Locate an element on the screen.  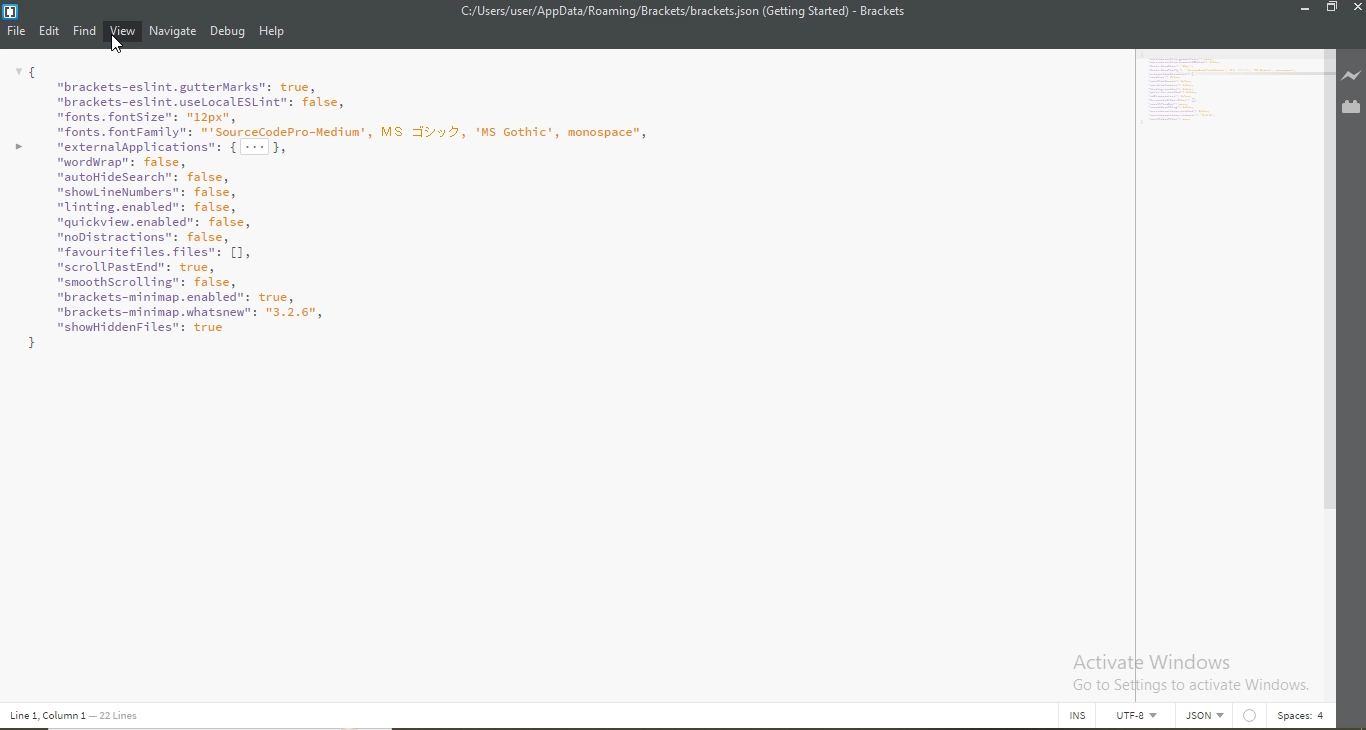
Logo is located at coordinates (11, 13).